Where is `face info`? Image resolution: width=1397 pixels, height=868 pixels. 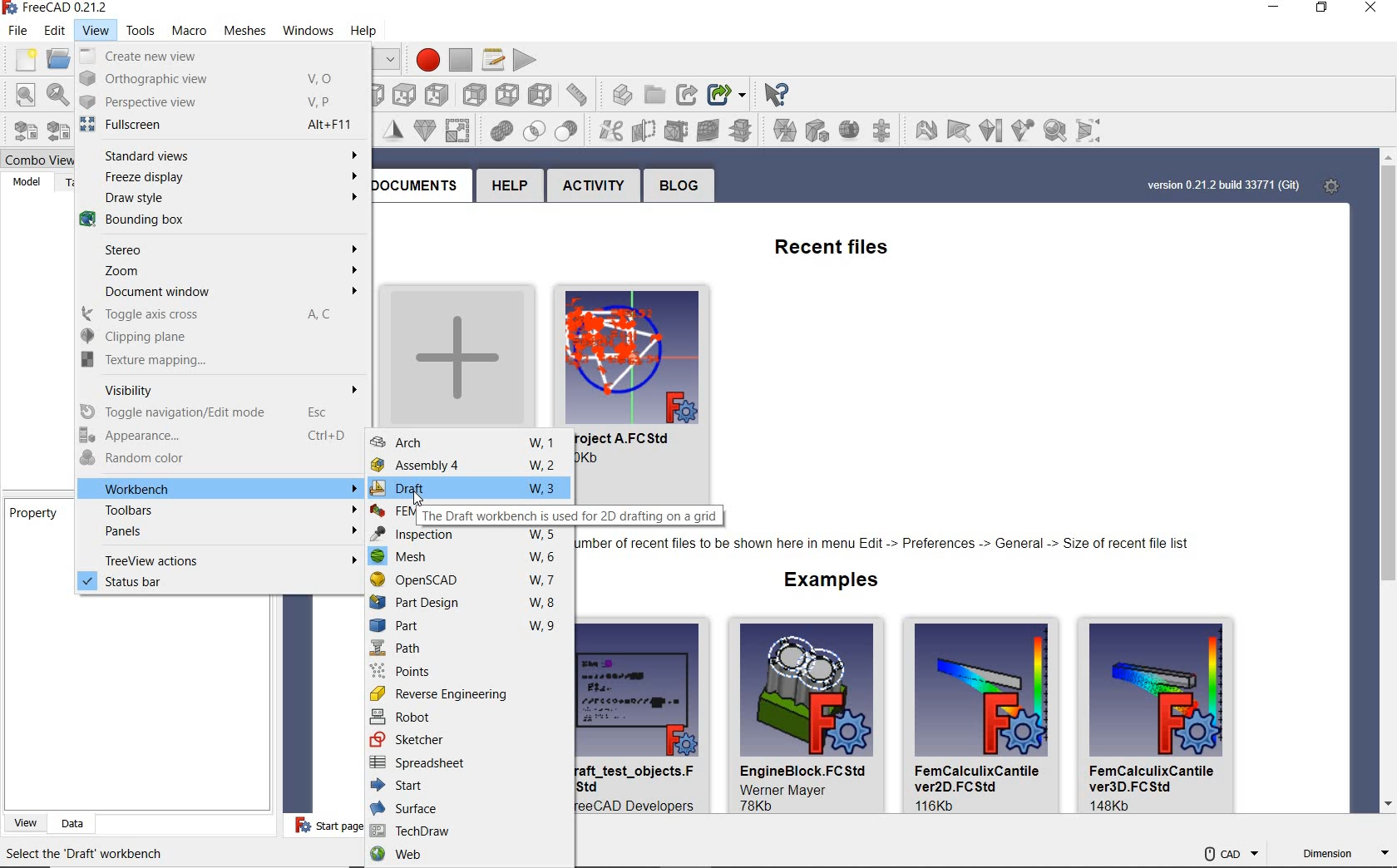 face info is located at coordinates (956, 129).